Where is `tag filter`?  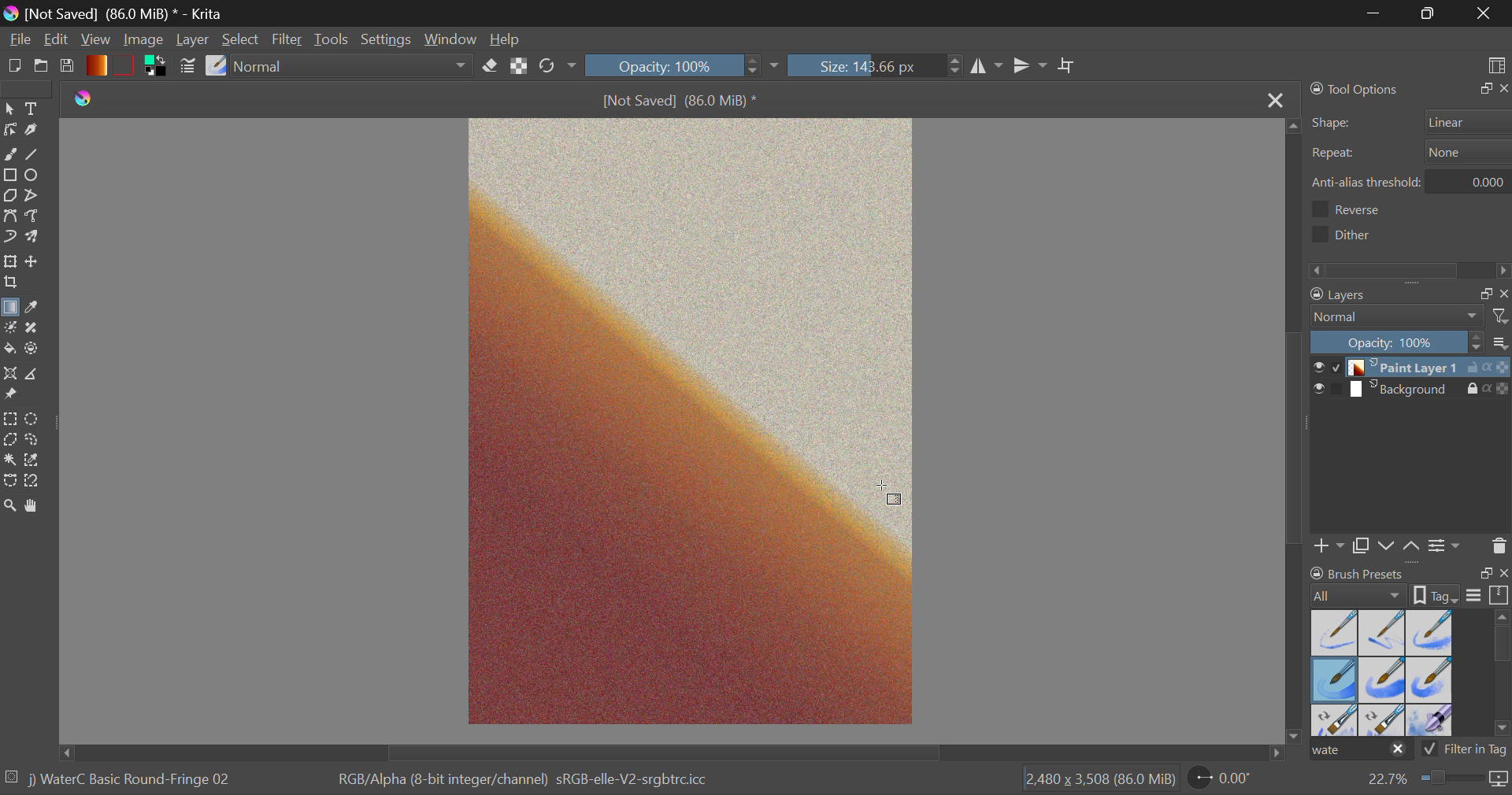
tag filter is located at coordinates (1453, 749).